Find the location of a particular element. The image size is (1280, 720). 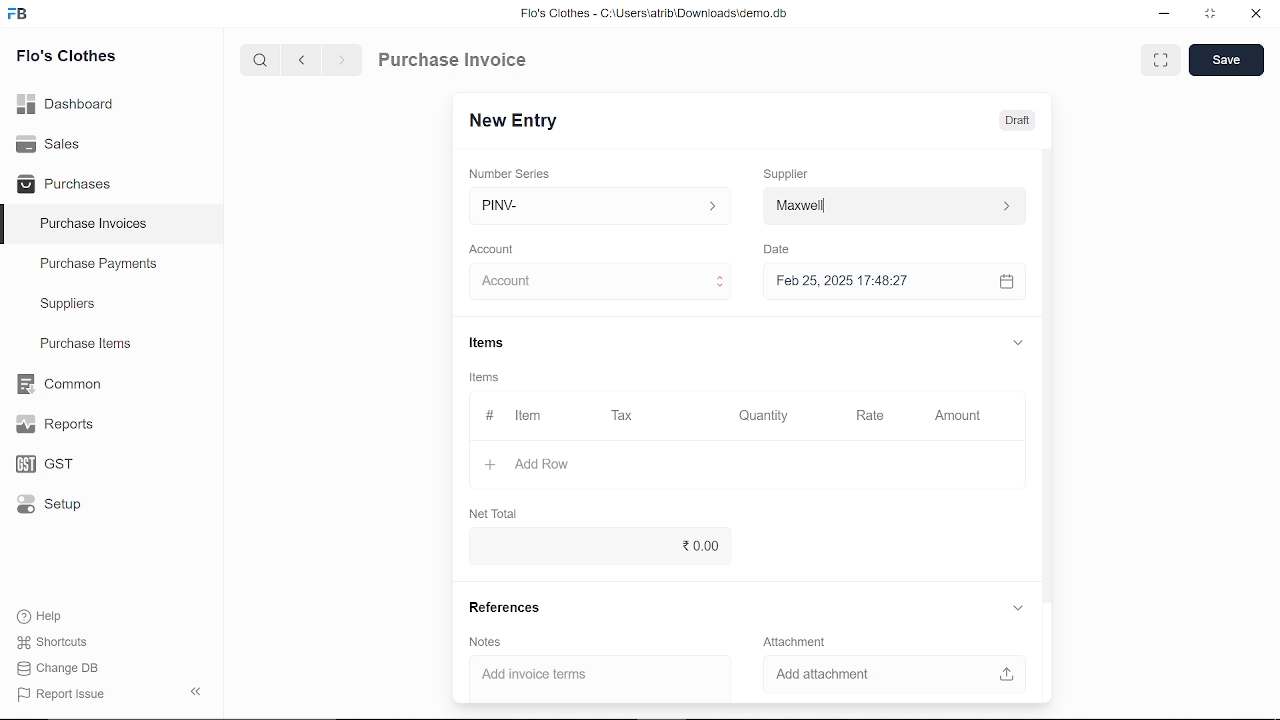

+ Add Row is located at coordinates (521, 463).